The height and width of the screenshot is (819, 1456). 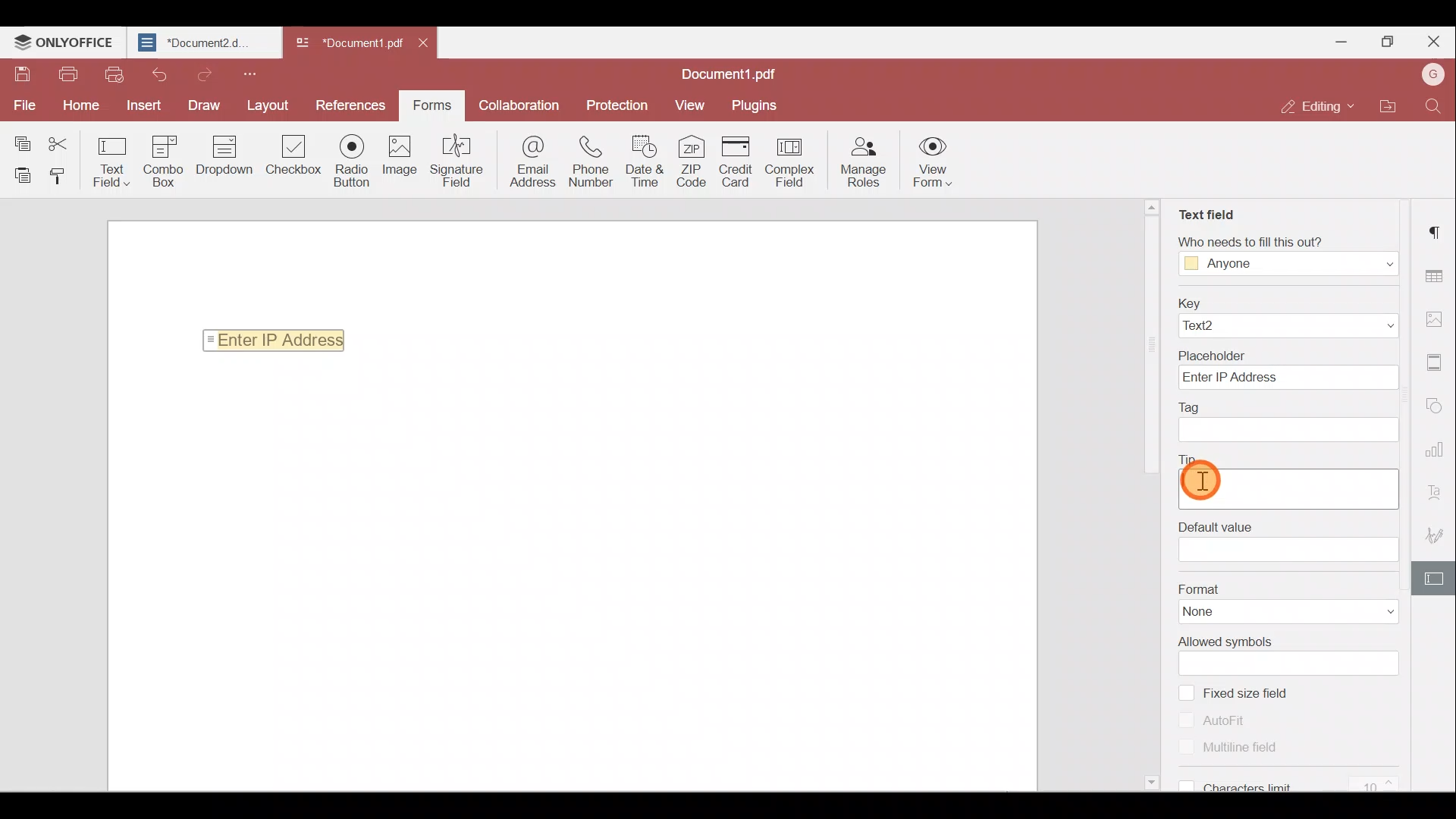 What do you see at coordinates (20, 73) in the screenshot?
I see `Save` at bounding box center [20, 73].